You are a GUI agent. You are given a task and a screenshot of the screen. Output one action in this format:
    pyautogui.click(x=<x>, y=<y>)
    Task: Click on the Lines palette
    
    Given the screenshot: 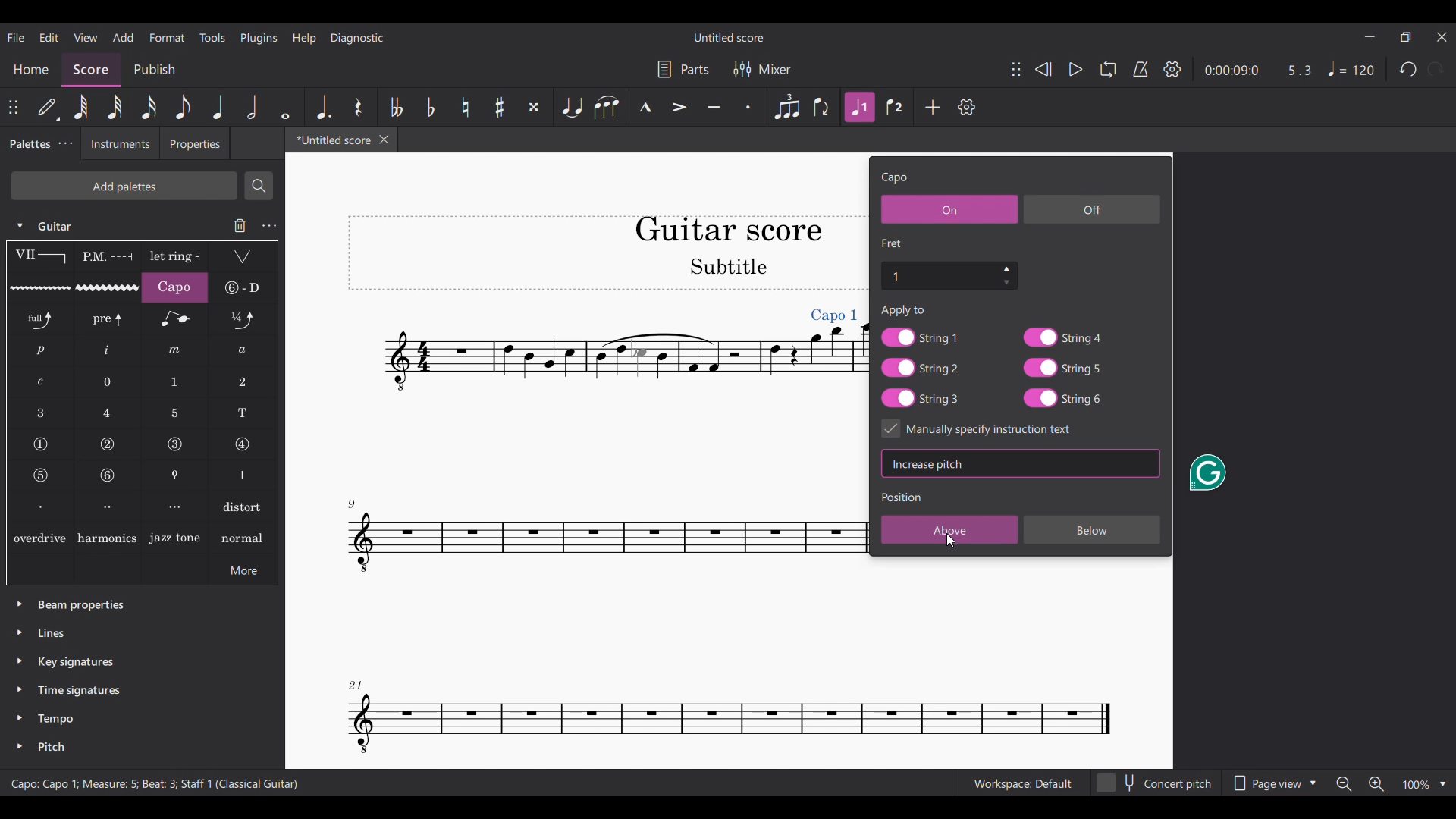 What is the action you would take?
    pyautogui.click(x=52, y=632)
    